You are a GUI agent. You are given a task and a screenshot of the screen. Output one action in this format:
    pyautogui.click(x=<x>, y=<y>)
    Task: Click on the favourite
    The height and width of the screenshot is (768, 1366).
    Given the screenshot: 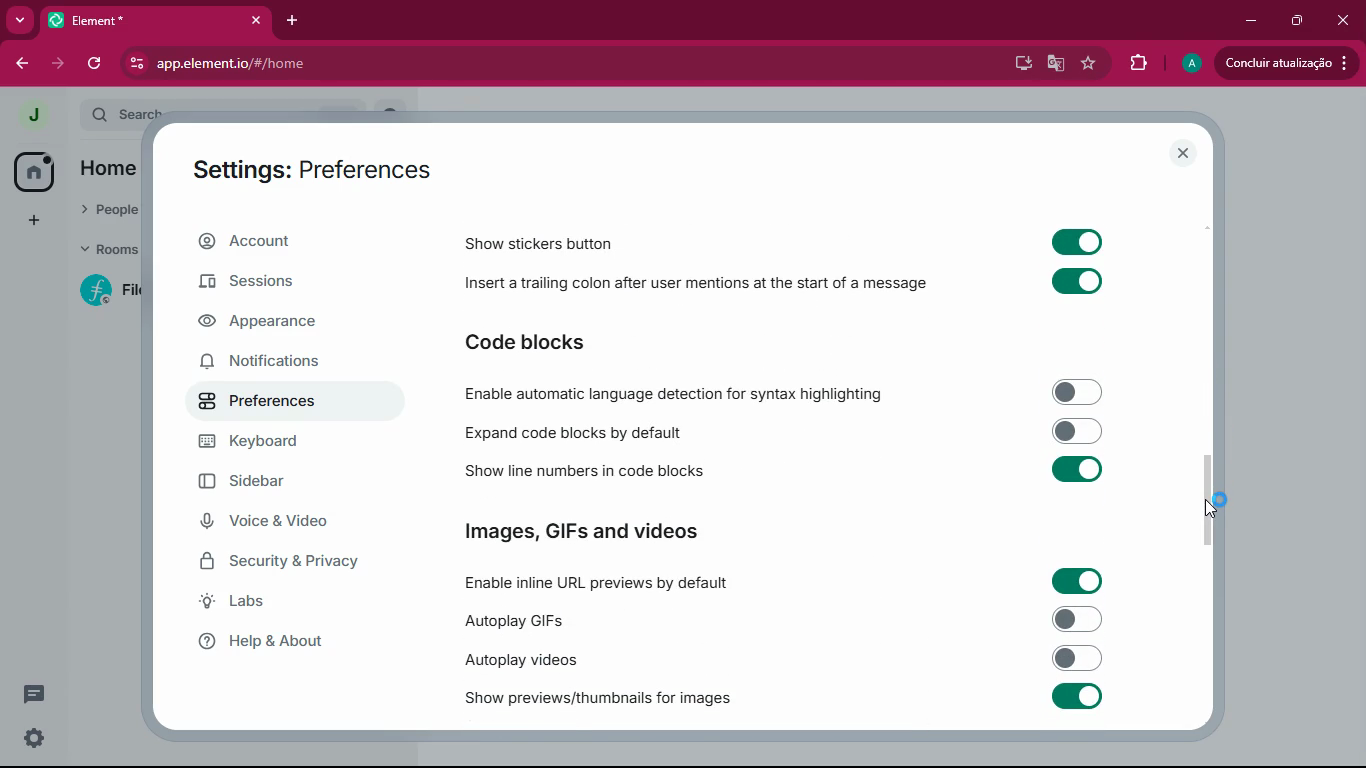 What is the action you would take?
    pyautogui.click(x=1087, y=64)
    